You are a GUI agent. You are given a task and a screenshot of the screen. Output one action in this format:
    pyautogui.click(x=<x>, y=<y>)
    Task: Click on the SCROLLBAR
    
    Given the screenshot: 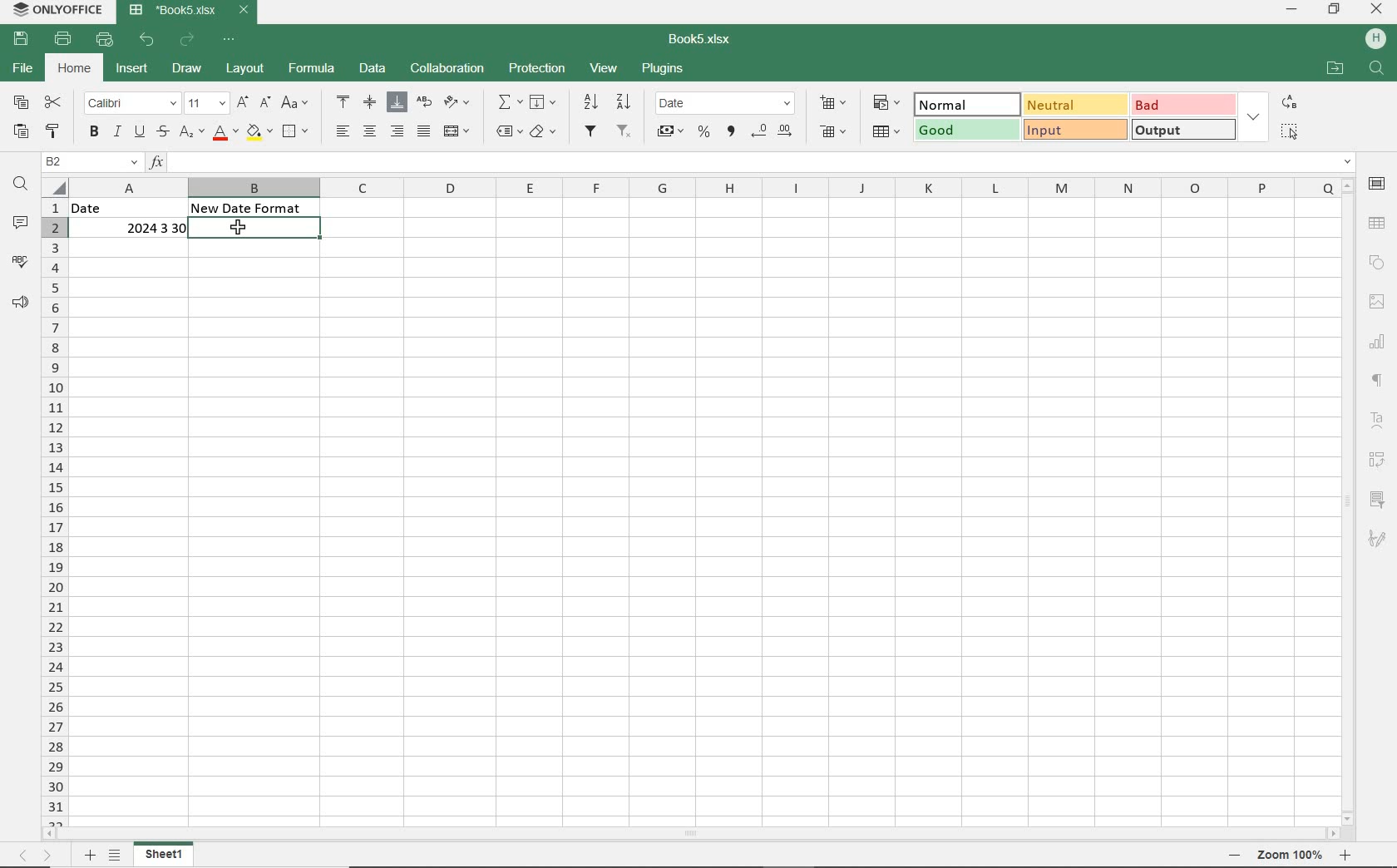 What is the action you would take?
    pyautogui.click(x=691, y=833)
    